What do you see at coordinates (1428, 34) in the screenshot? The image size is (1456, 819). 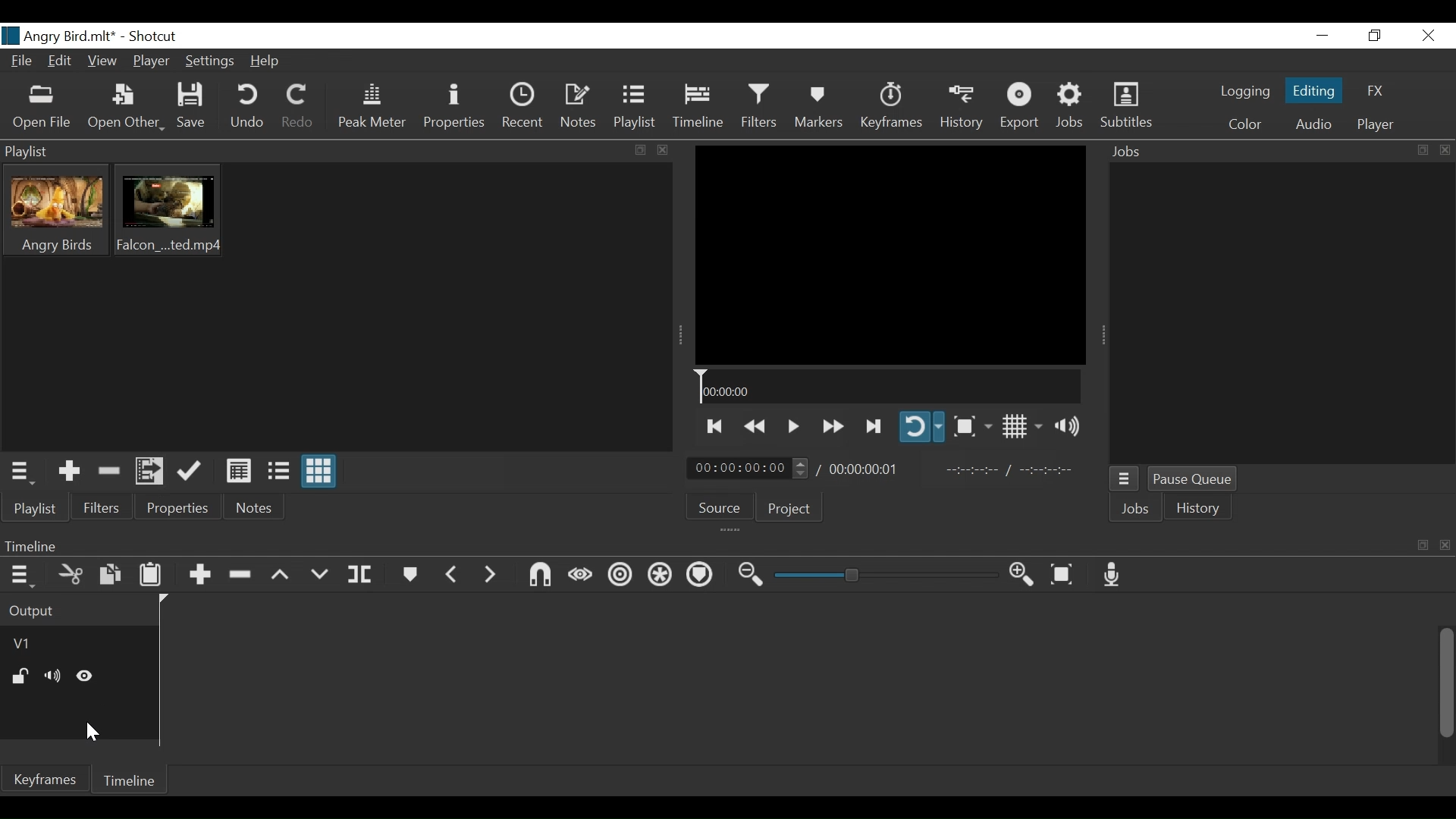 I see `Close` at bounding box center [1428, 34].